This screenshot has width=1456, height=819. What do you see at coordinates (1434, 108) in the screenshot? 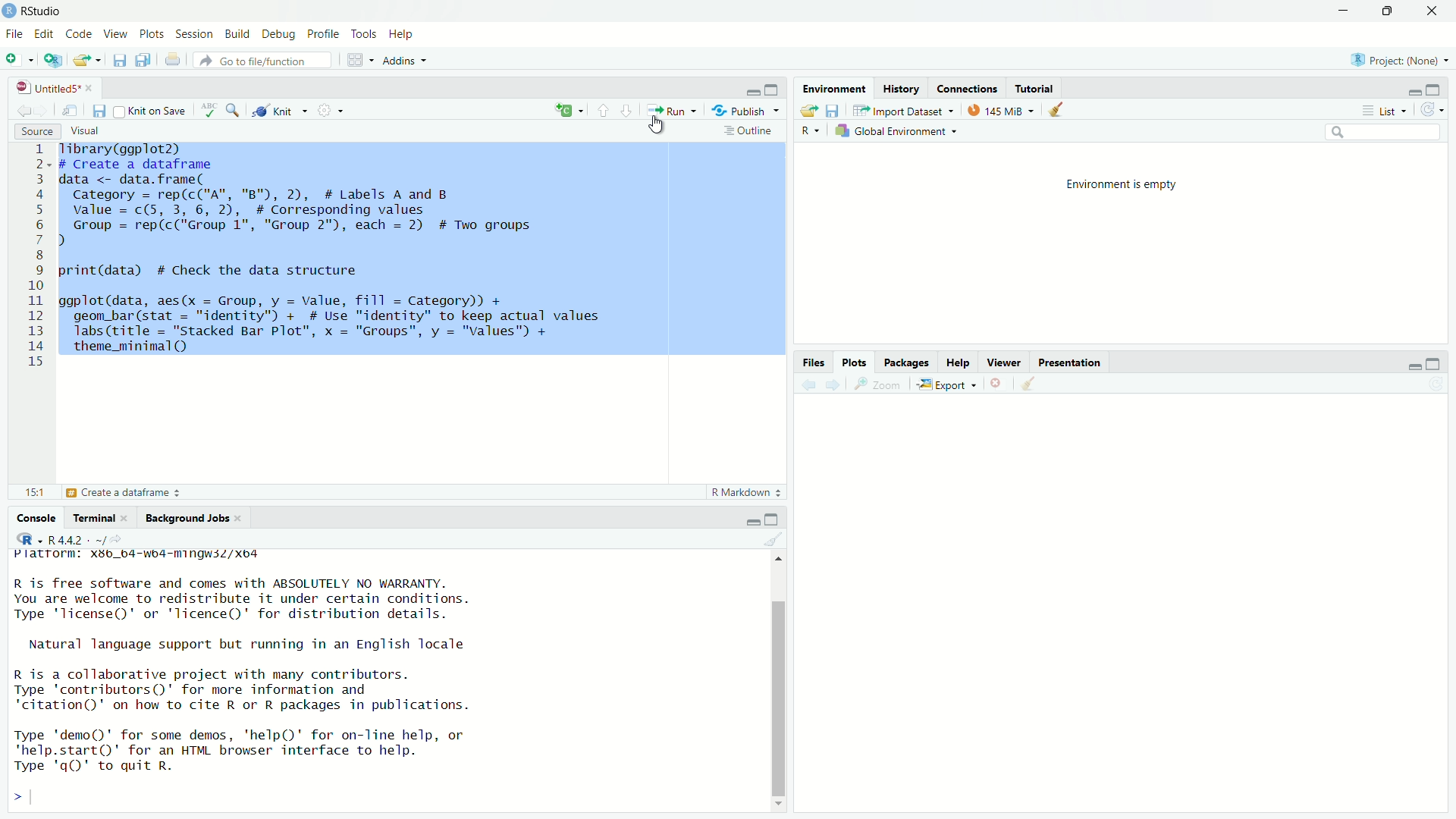
I see `Refresh the list of objects in the environment` at bounding box center [1434, 108].